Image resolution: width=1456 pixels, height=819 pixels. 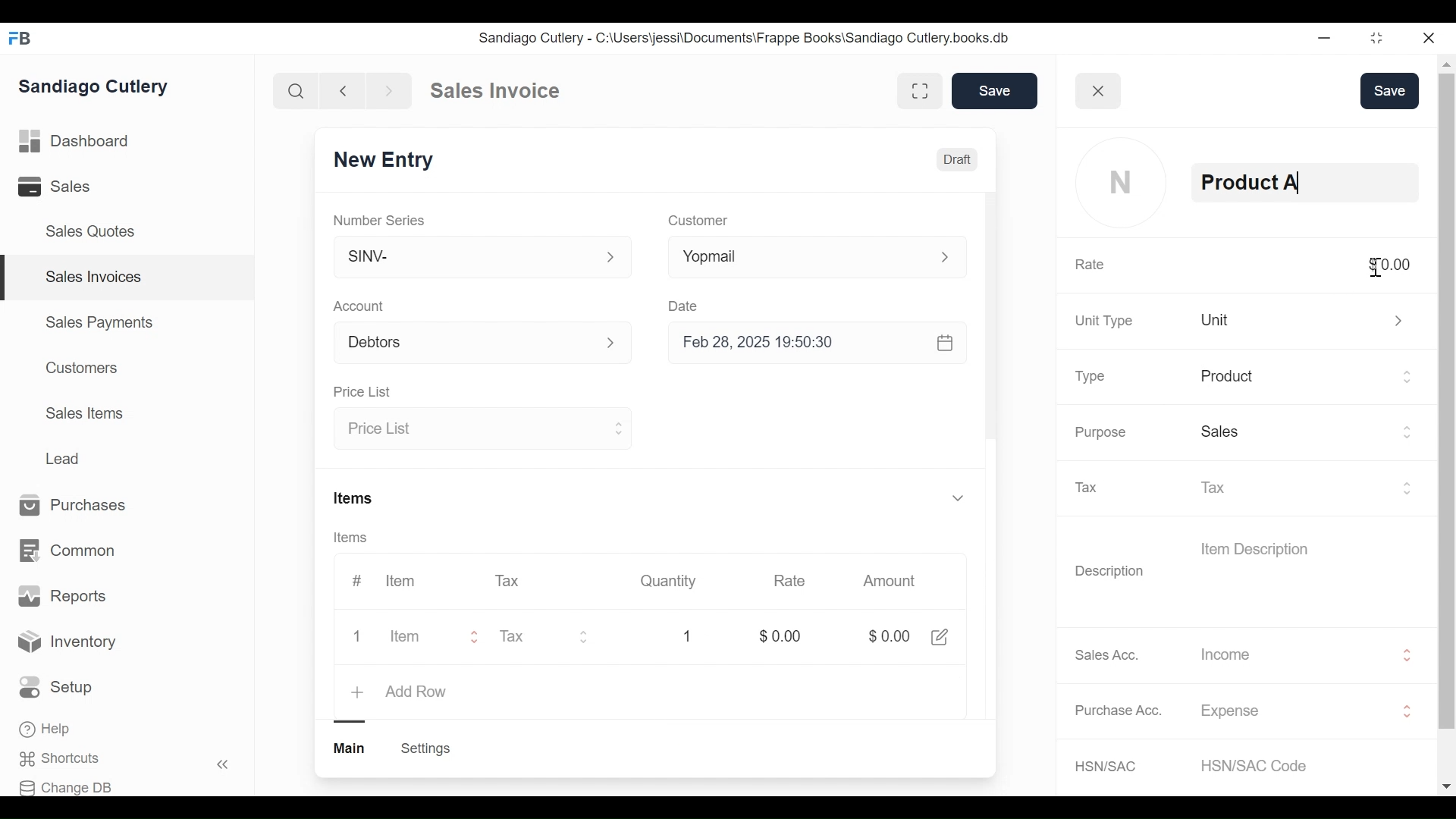 I want to click on Sales Invoice, so click(x=494, y=91).